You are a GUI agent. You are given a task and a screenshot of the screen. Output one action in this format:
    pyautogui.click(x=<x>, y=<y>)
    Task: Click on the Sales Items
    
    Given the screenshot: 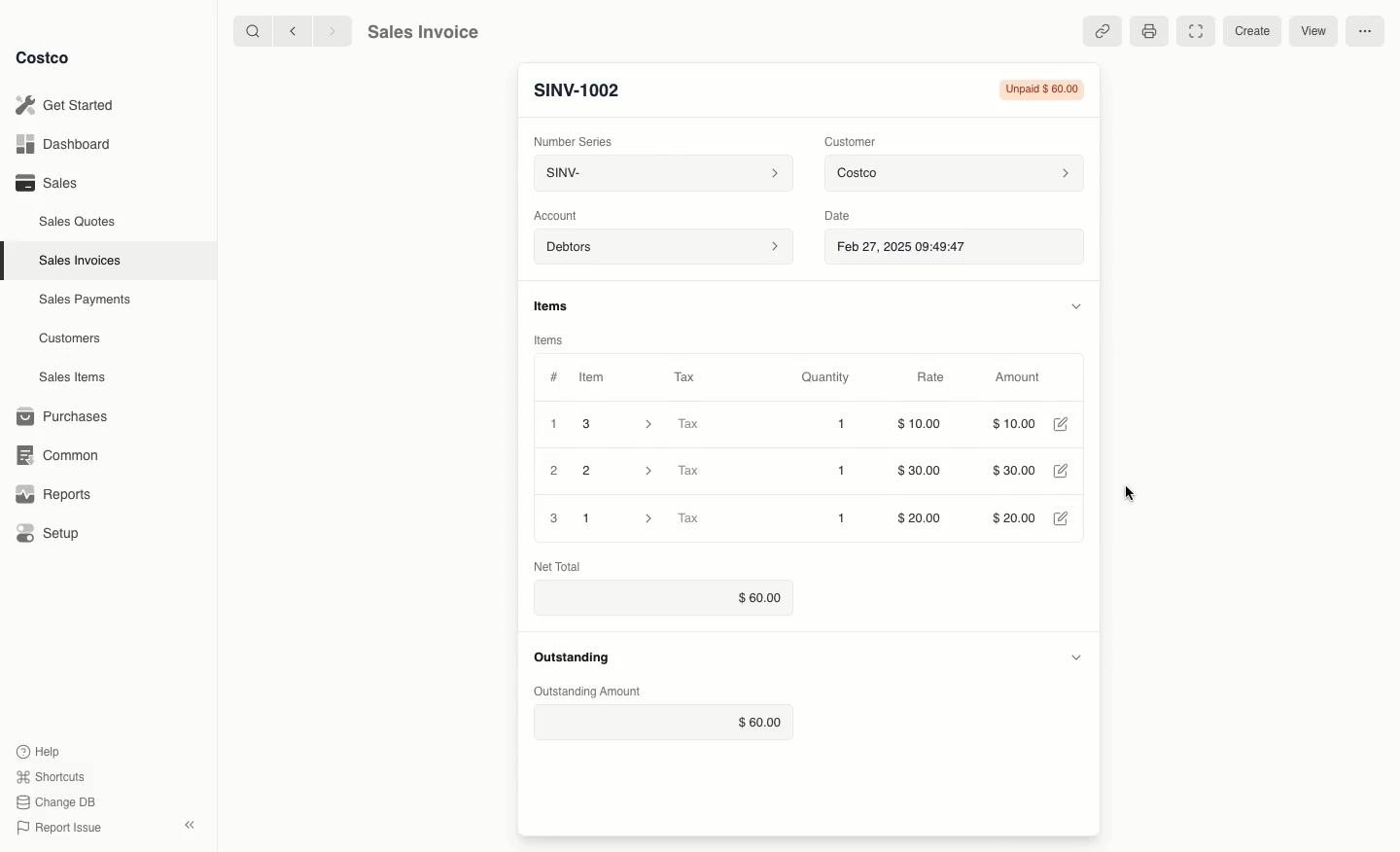 What is the action you would take?
    pyautogui.click(x=75, y=375)
    